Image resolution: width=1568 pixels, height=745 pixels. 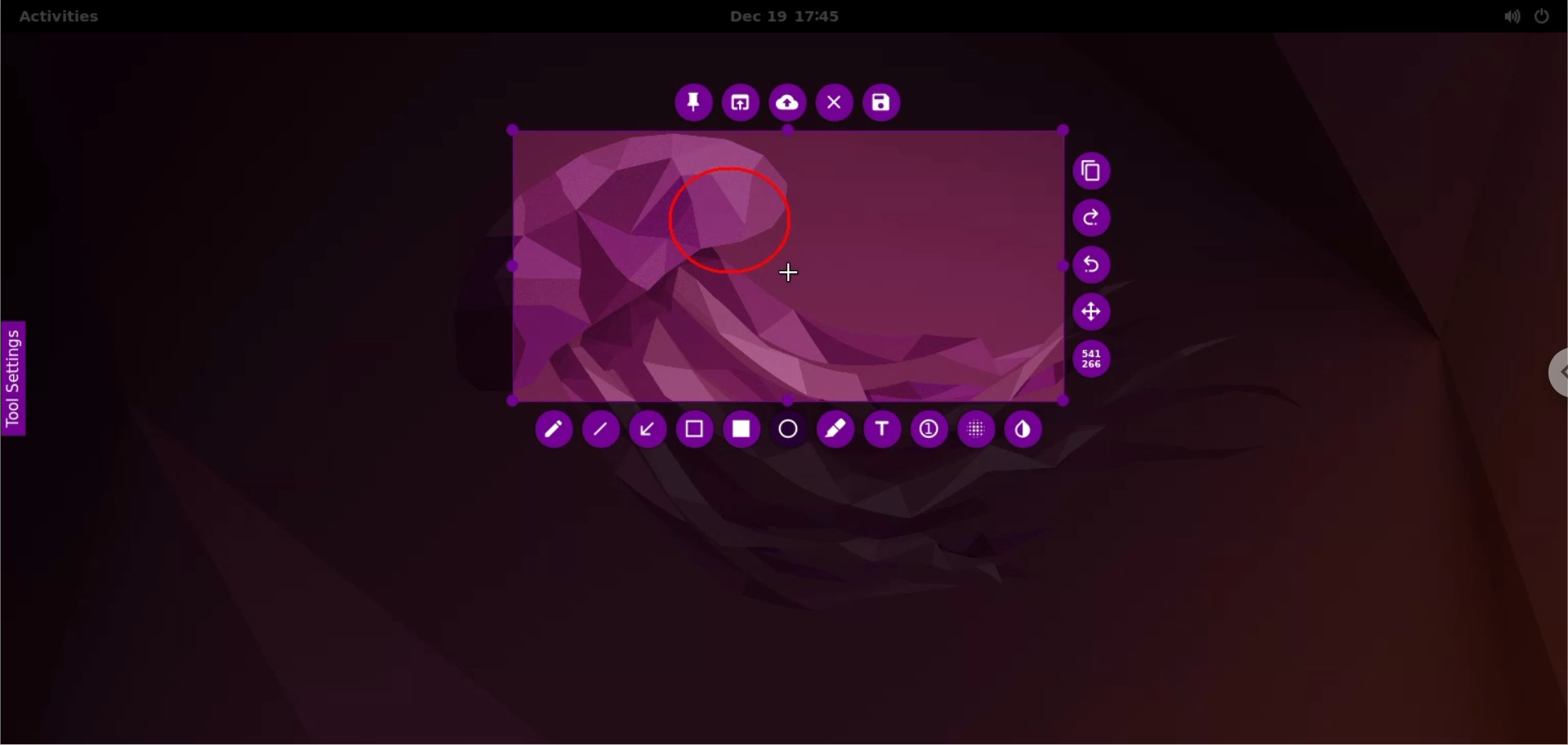 What do you see at coordinates (1023, 430) in the screenshot?
I see `inverter tool` at bounding box center [1023, 430].